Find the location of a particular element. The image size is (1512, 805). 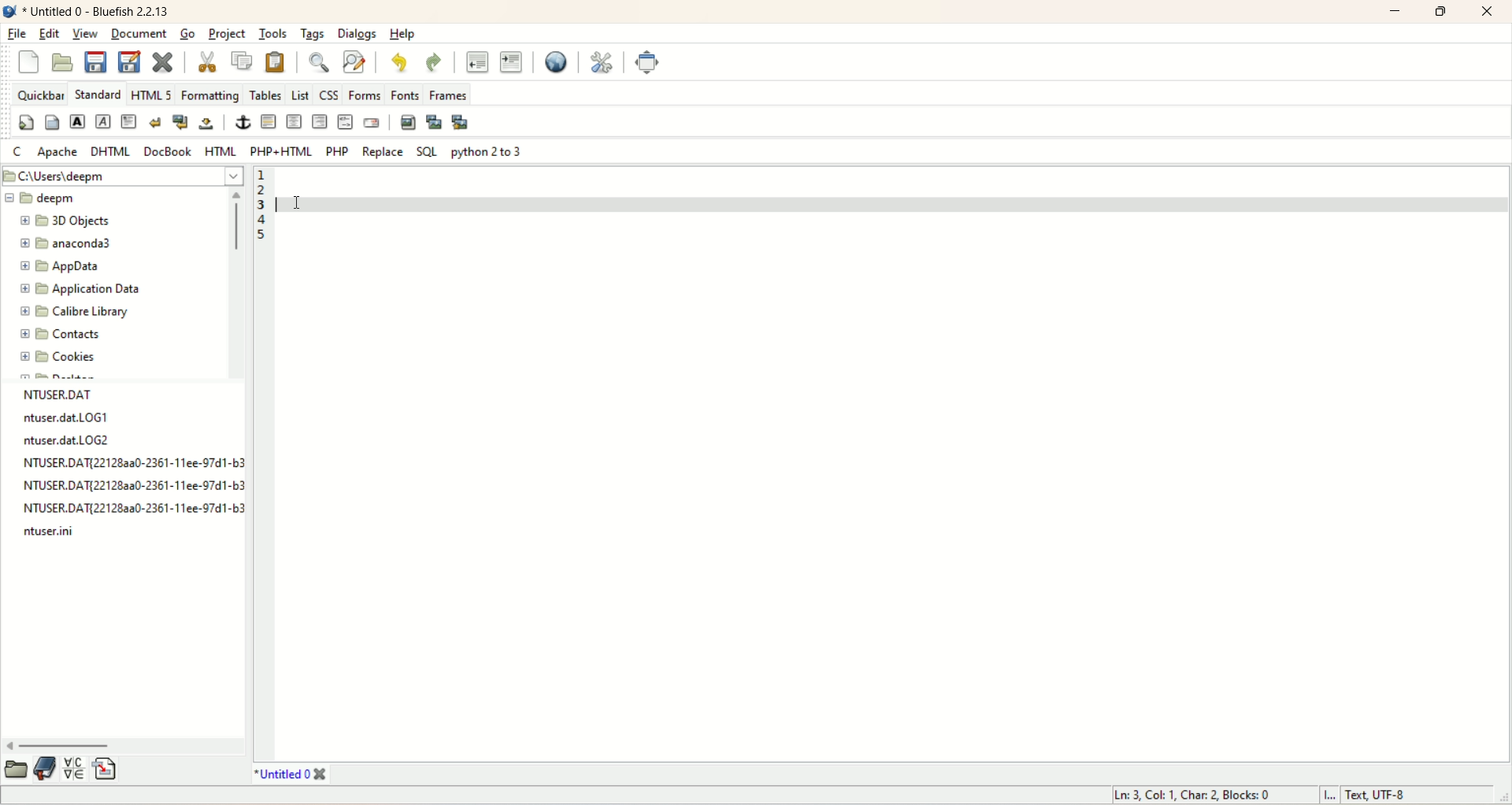

apache is located at coordinates (58, 152).